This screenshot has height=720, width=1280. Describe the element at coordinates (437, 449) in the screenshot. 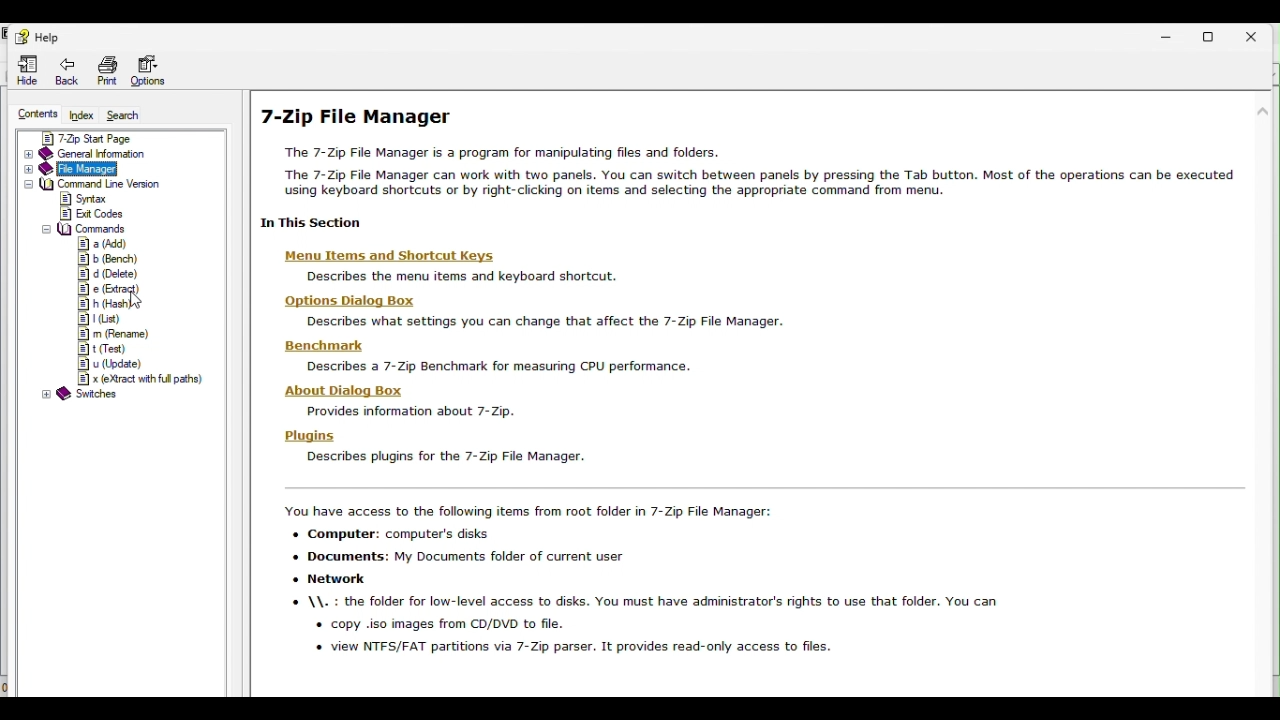

I see `plugins` at that location.